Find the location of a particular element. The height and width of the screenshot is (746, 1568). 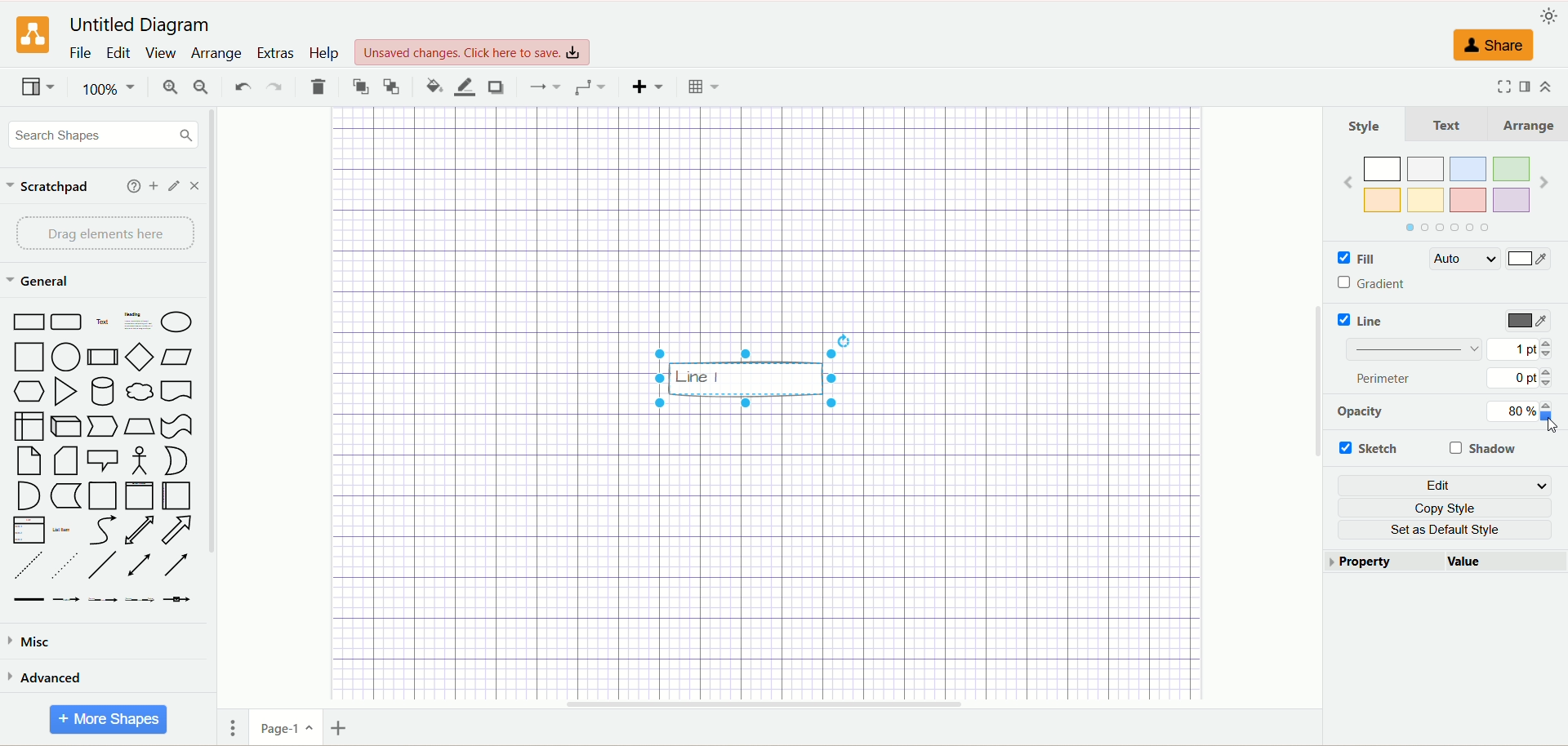

Color is located at coordinates (1532, 262).